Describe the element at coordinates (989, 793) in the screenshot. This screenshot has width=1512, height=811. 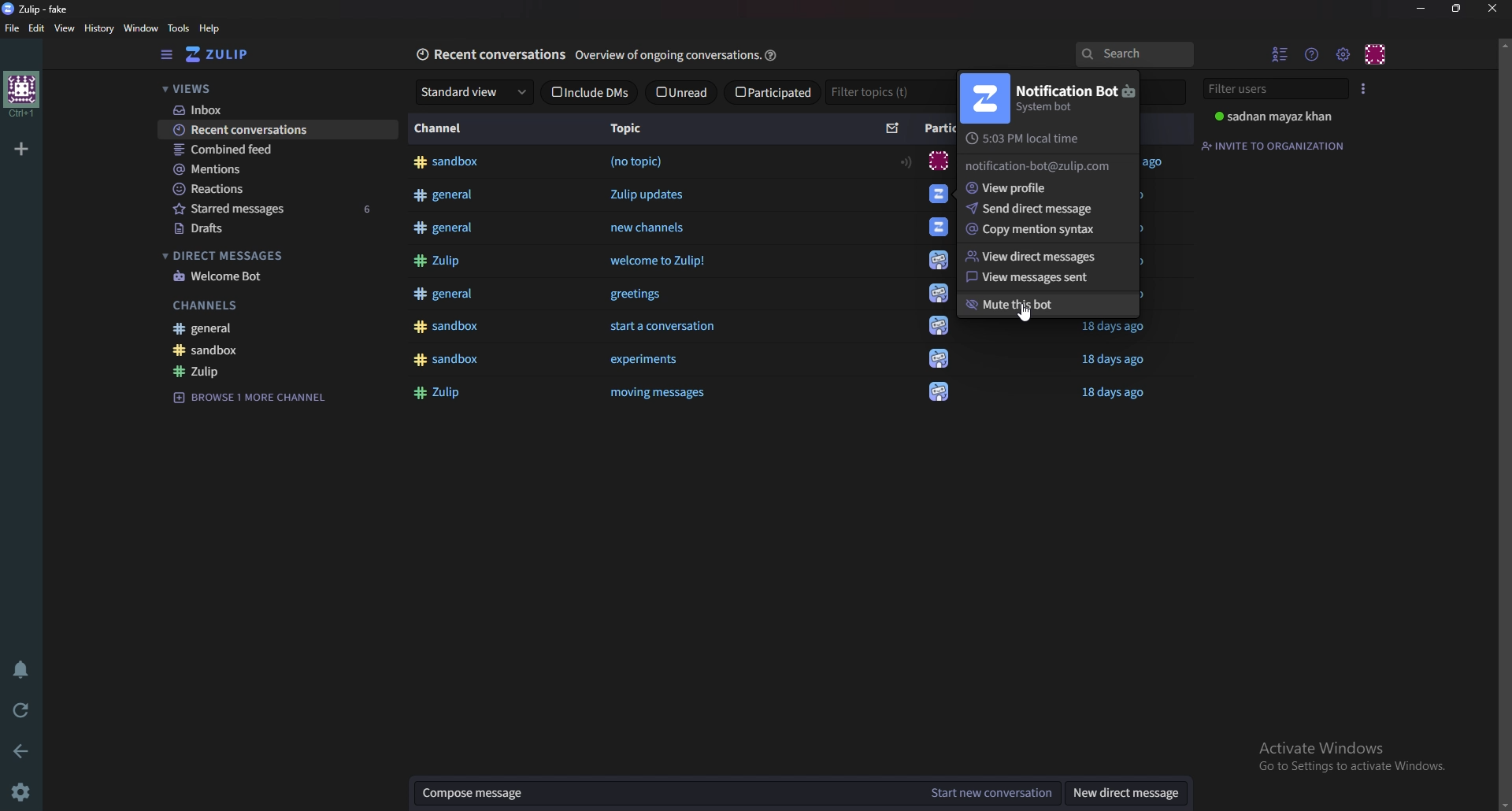
I see `Start new conversation` at that location.